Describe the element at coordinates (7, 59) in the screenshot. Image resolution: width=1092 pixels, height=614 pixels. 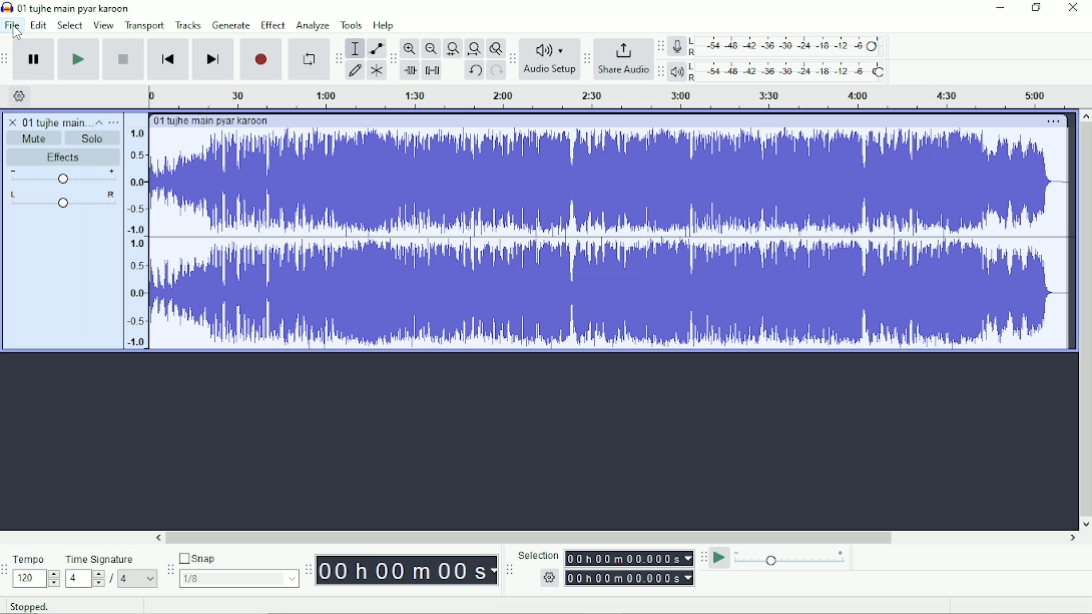
I see `Audacity transport toolbar` at that location.